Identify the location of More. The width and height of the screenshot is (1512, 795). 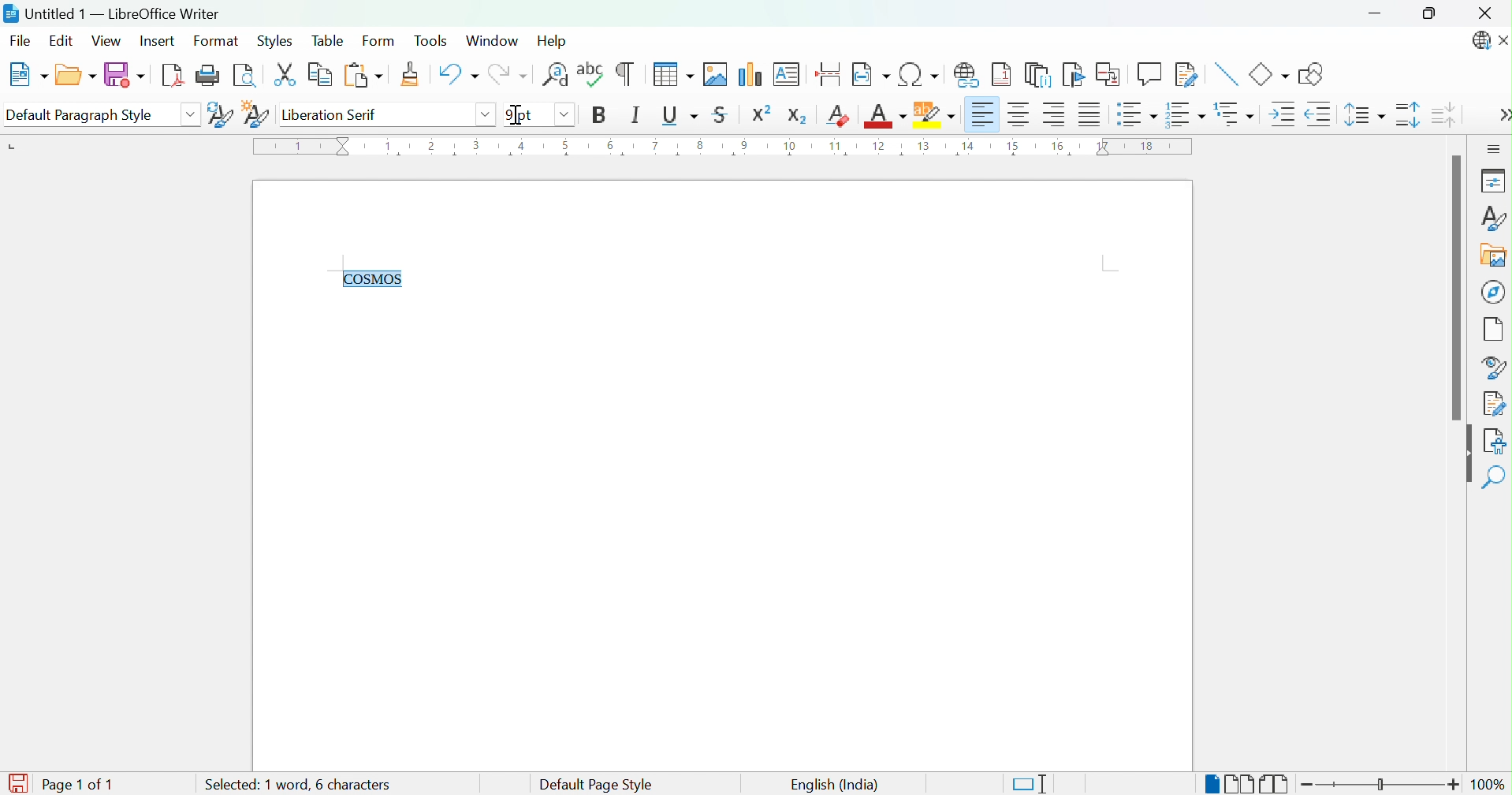
(1503, 117).